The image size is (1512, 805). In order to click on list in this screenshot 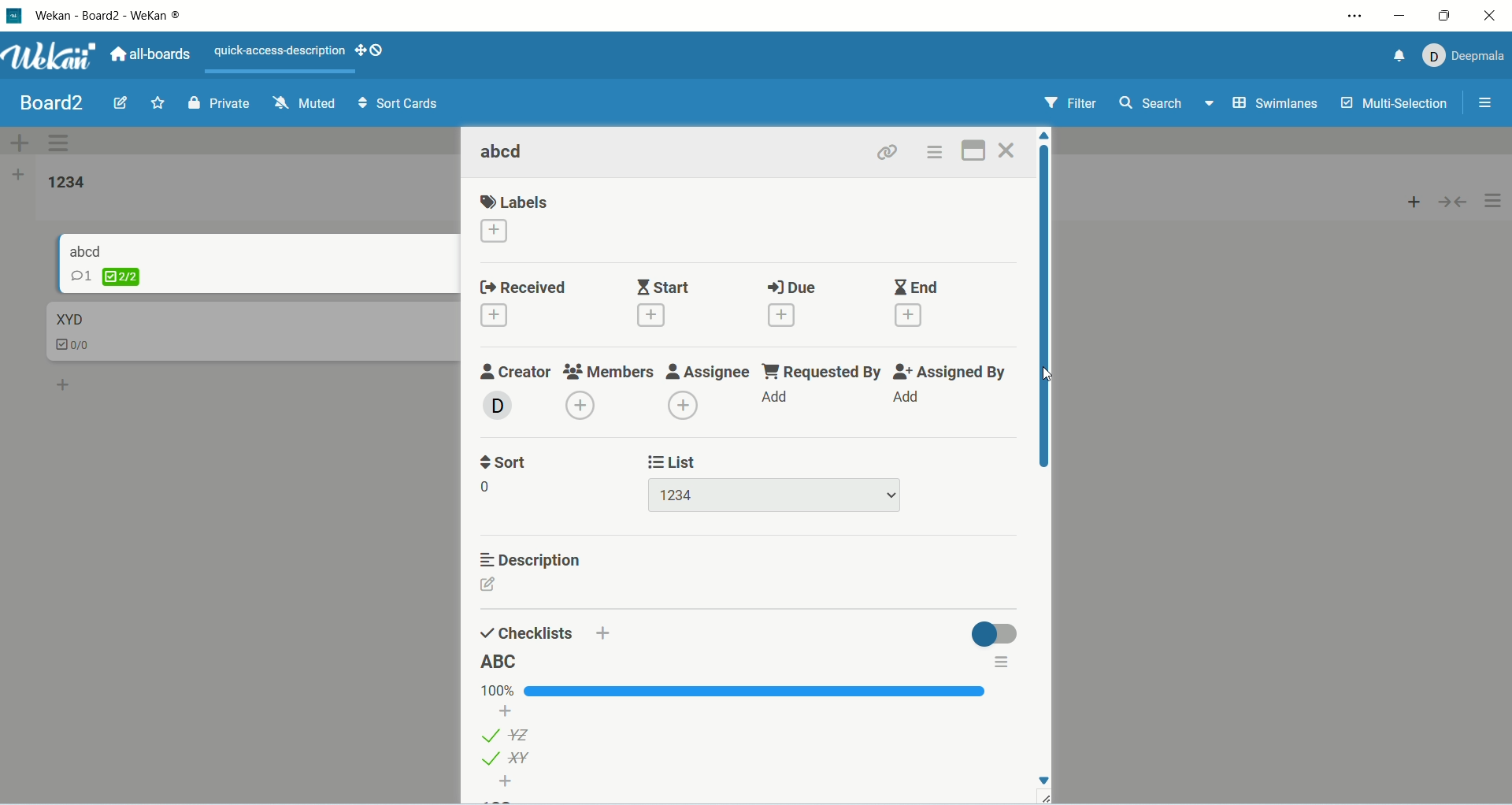, I will do `click(509, 734)`.